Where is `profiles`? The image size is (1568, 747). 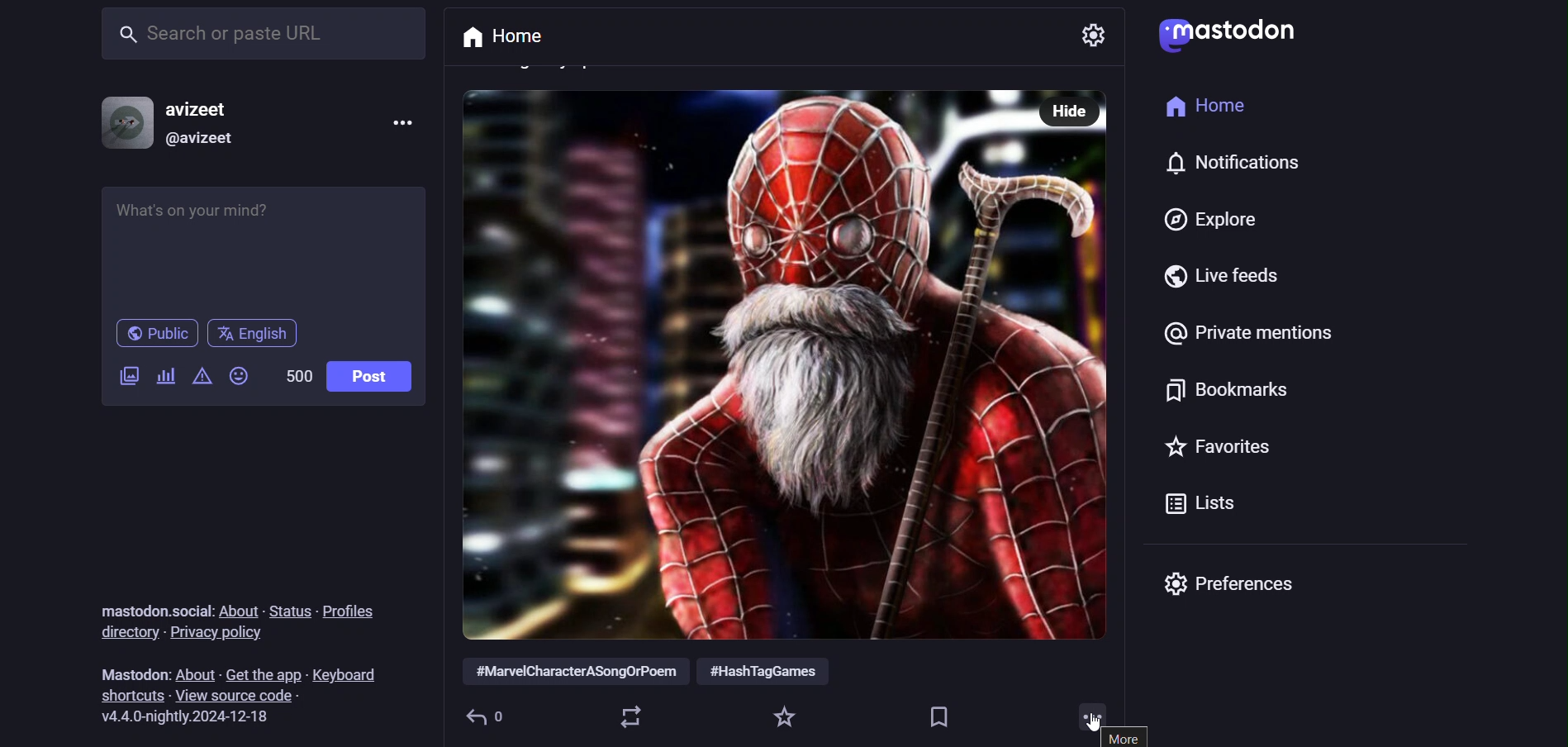 profiles is located at coordinates (349, 612).